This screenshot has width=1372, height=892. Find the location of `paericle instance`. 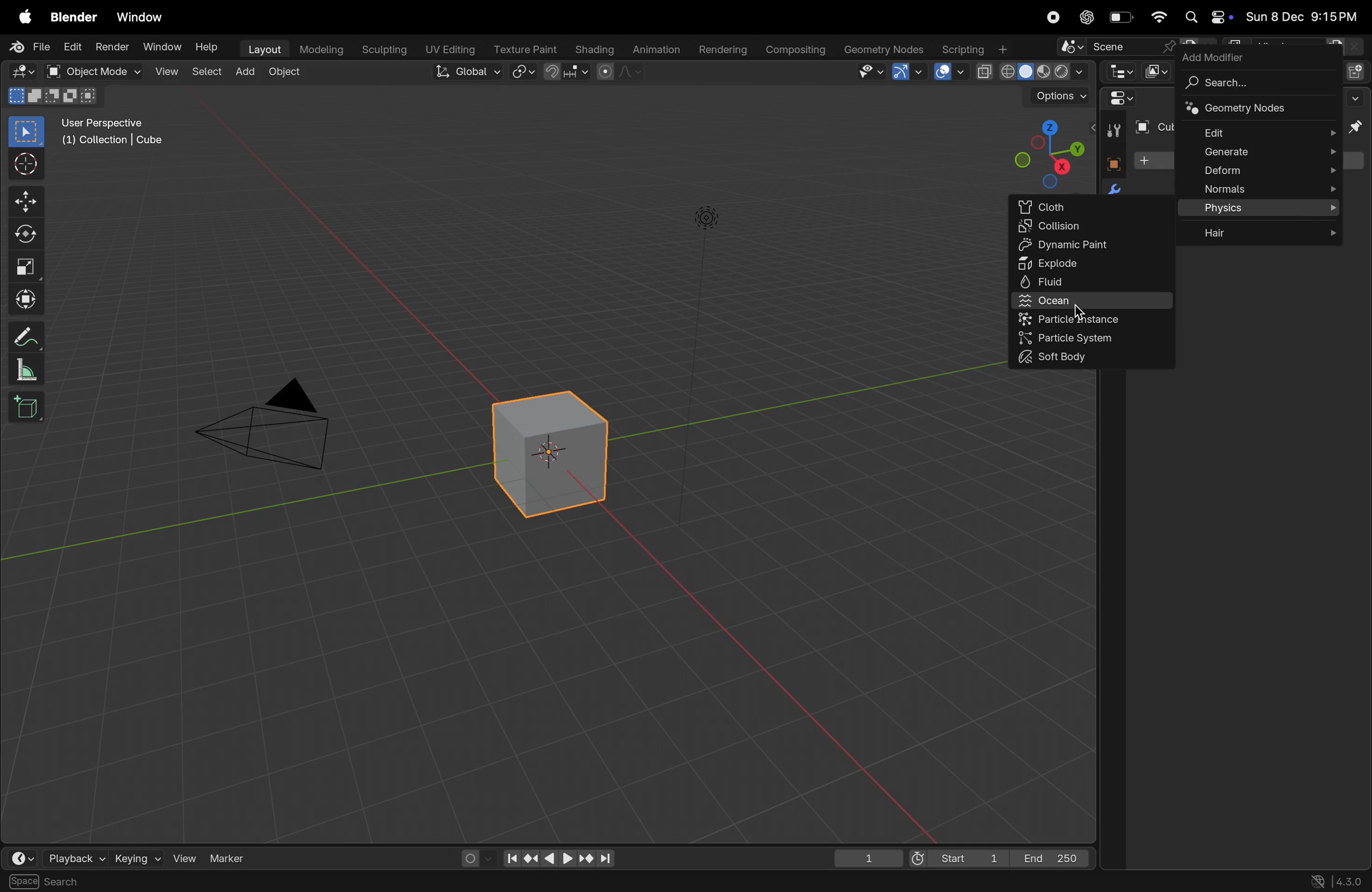

paericle instance is located at coordinates (1095, 320).